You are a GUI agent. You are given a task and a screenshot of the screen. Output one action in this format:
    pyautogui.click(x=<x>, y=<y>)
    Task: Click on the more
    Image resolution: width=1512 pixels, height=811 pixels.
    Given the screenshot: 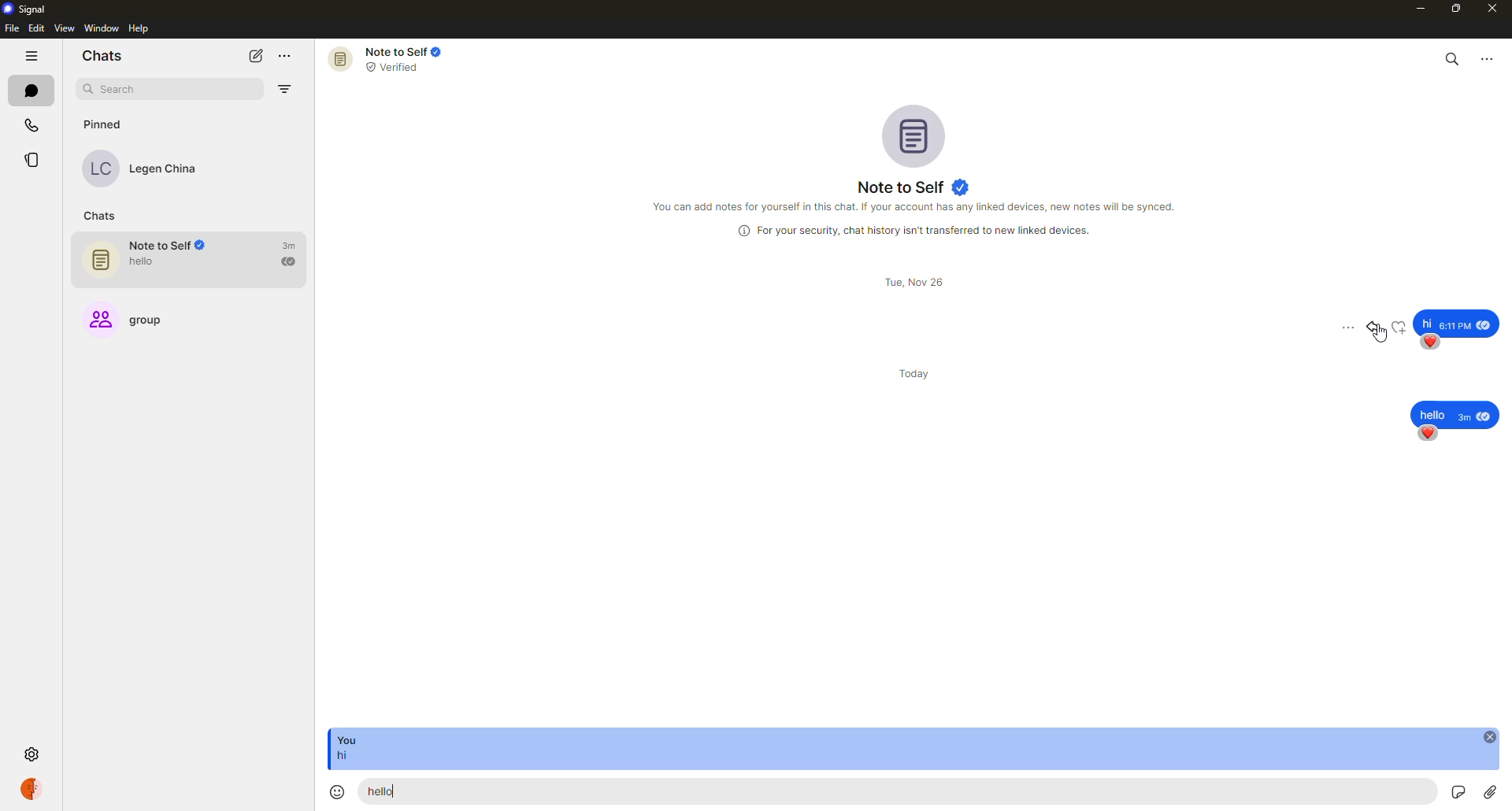 What is the action you would take?
    pyautogui.click(x=289, y=55)
    